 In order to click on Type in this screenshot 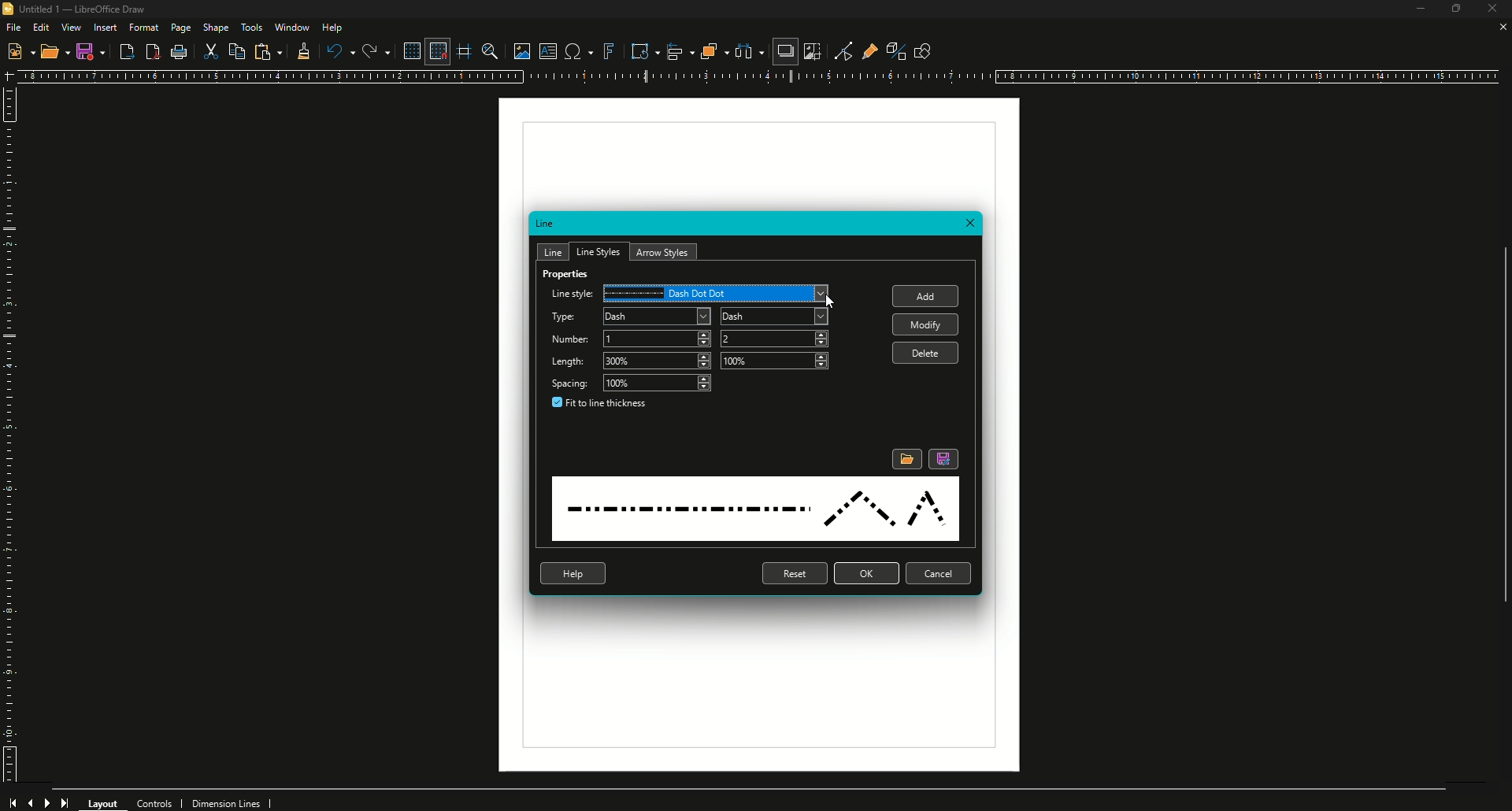, I will do `click(564, 318)`.